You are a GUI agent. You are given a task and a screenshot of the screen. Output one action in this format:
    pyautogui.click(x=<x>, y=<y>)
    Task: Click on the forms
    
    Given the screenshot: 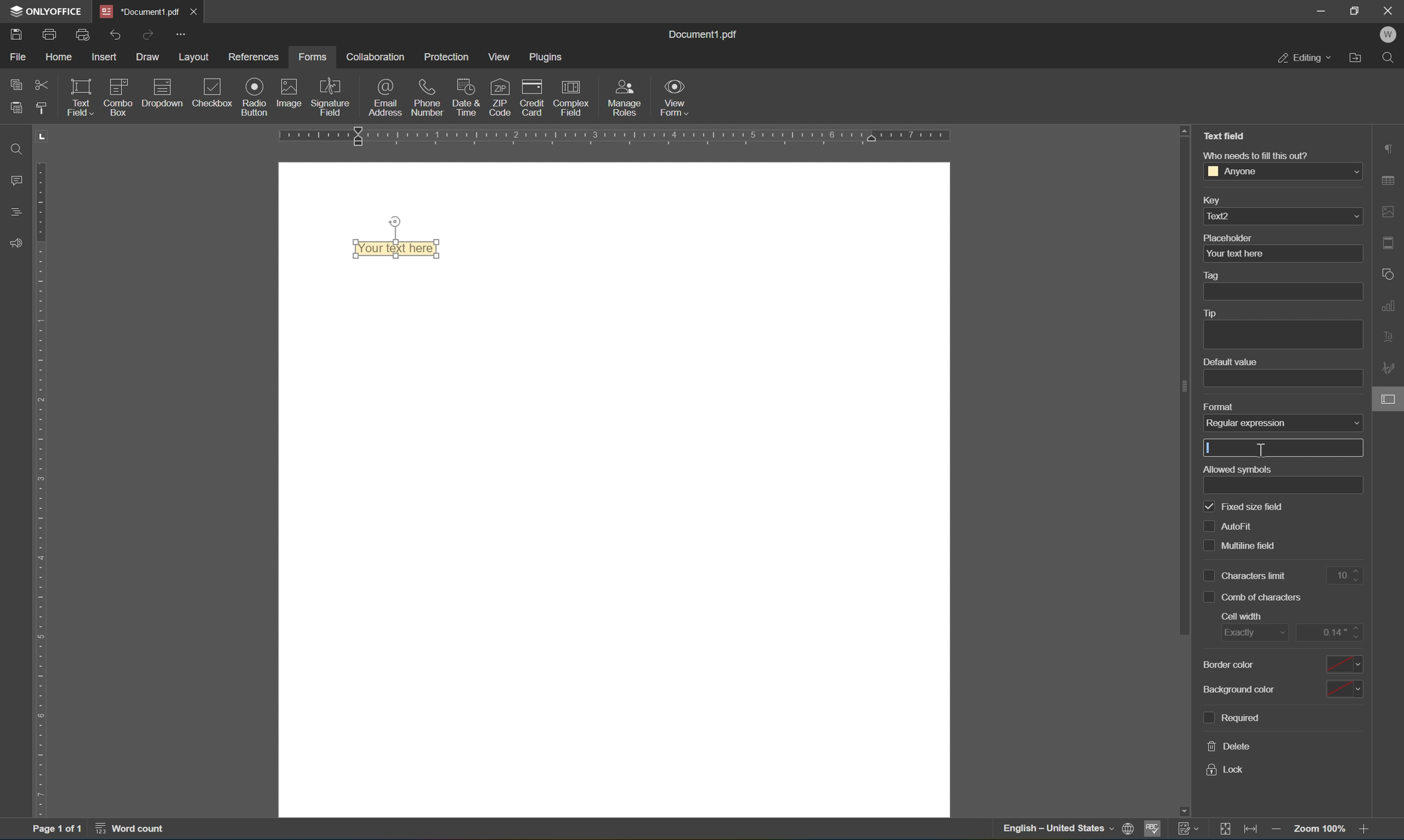 What is the action you would take?
    pyautogui.click(x=311, y=58)
    